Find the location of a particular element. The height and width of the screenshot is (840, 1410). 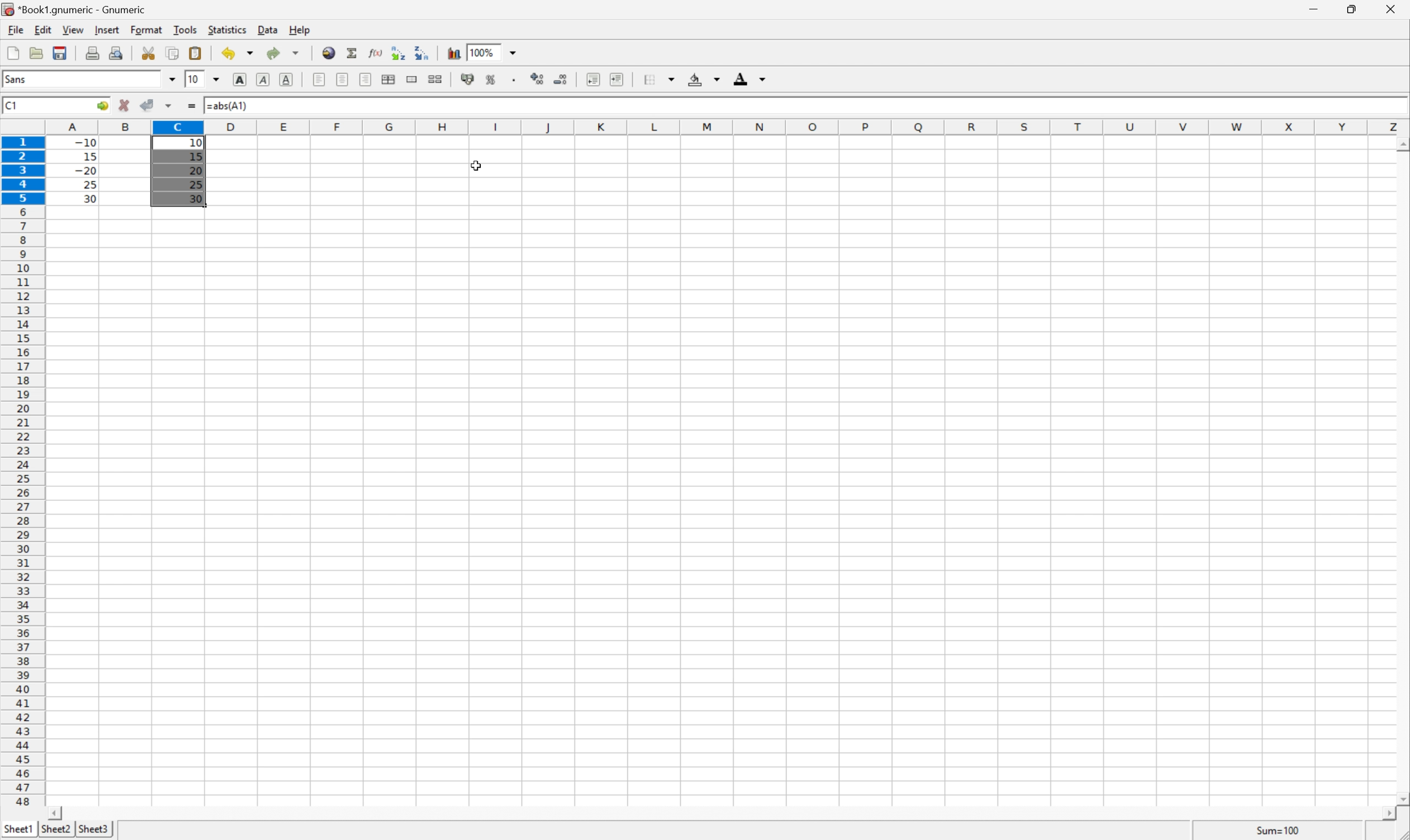

sheet2 is located at coordinates (55, 830).